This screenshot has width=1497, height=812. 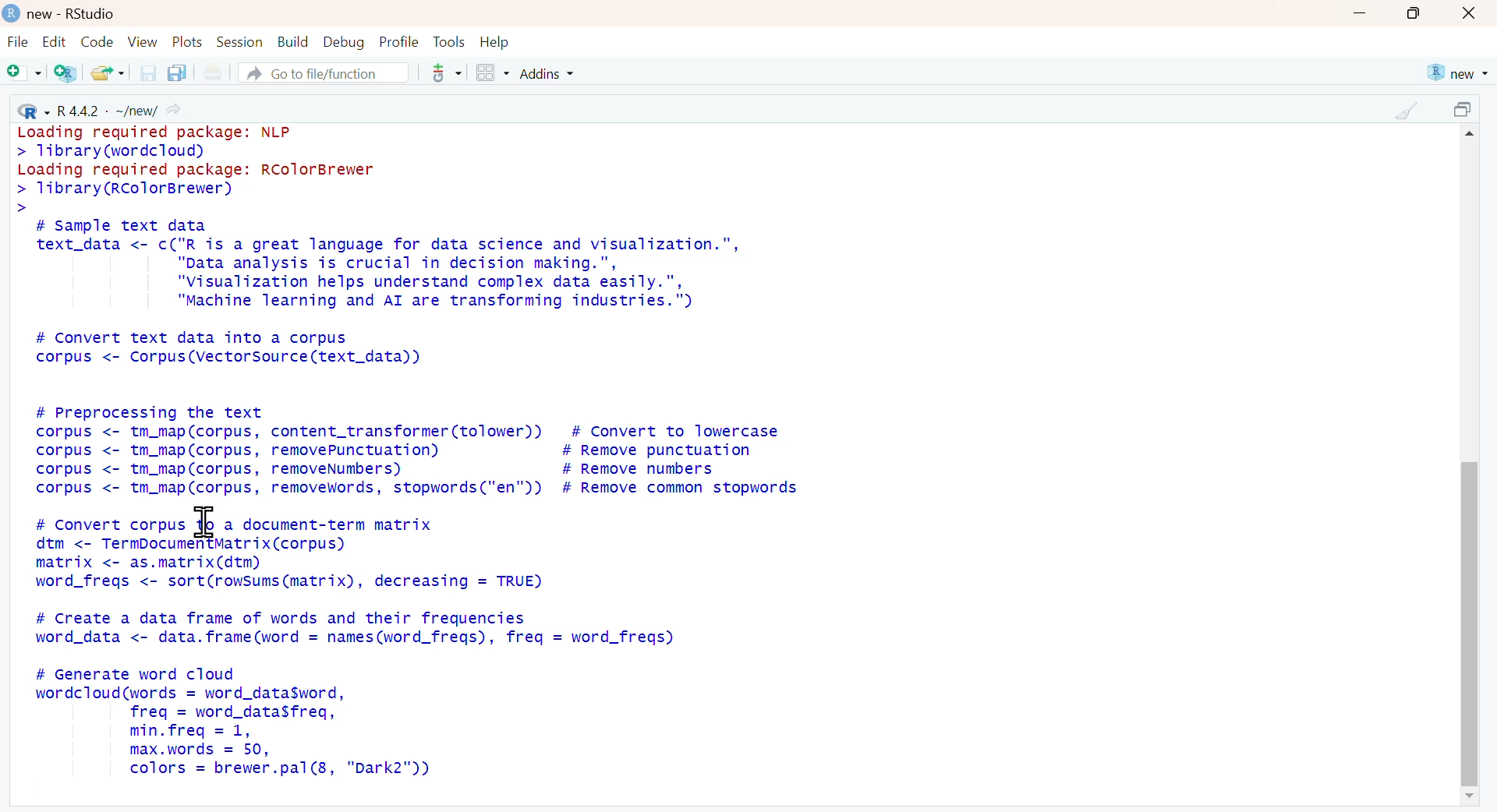 I want to click on cursor, so click(x=203, y=522).